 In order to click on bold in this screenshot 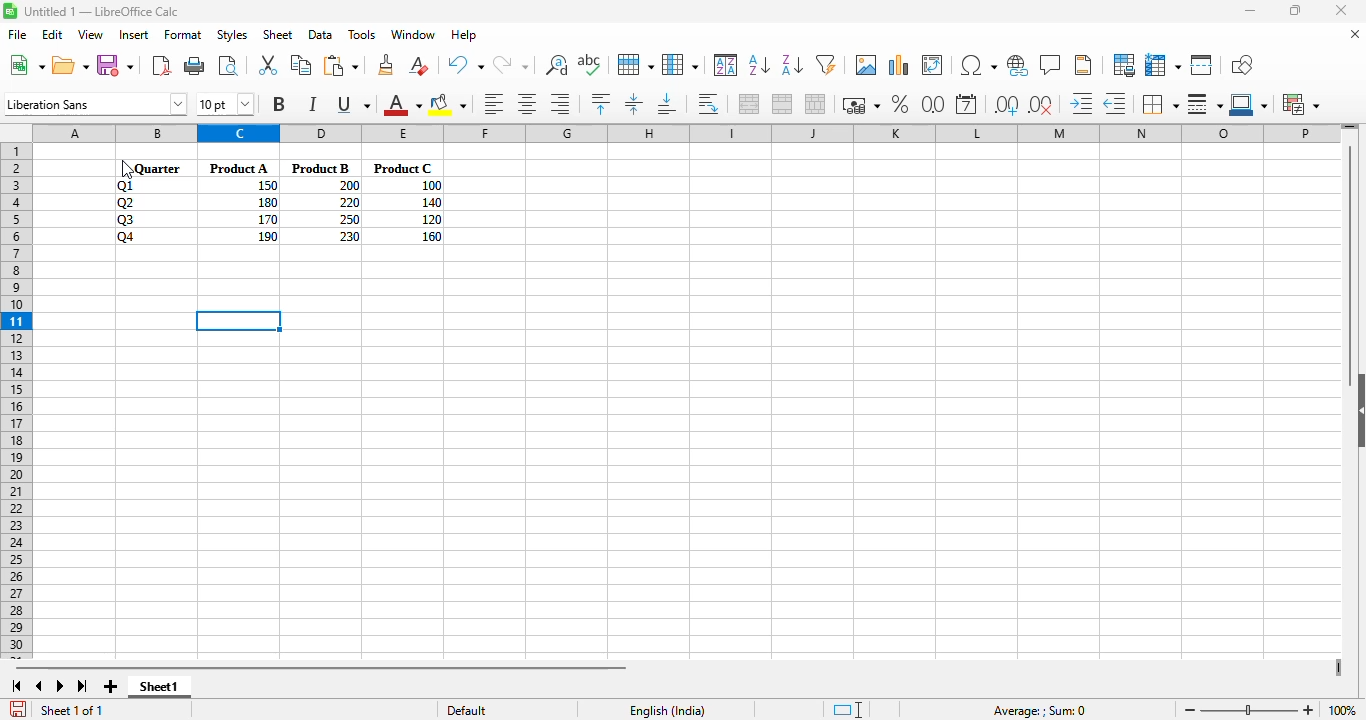, I will do `click(279, 103)`.